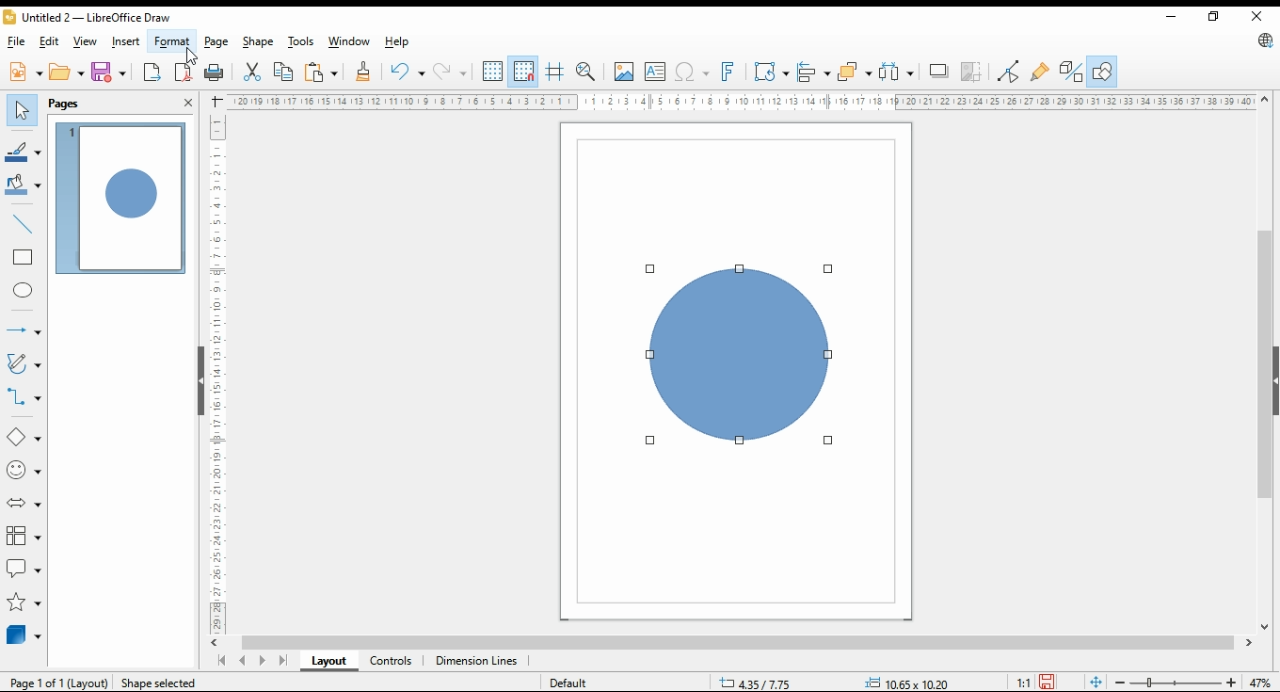 Image resolution: width=1280 pixels, height=692 pixels. I want to click on libreoffice update, so click(1264, 41).